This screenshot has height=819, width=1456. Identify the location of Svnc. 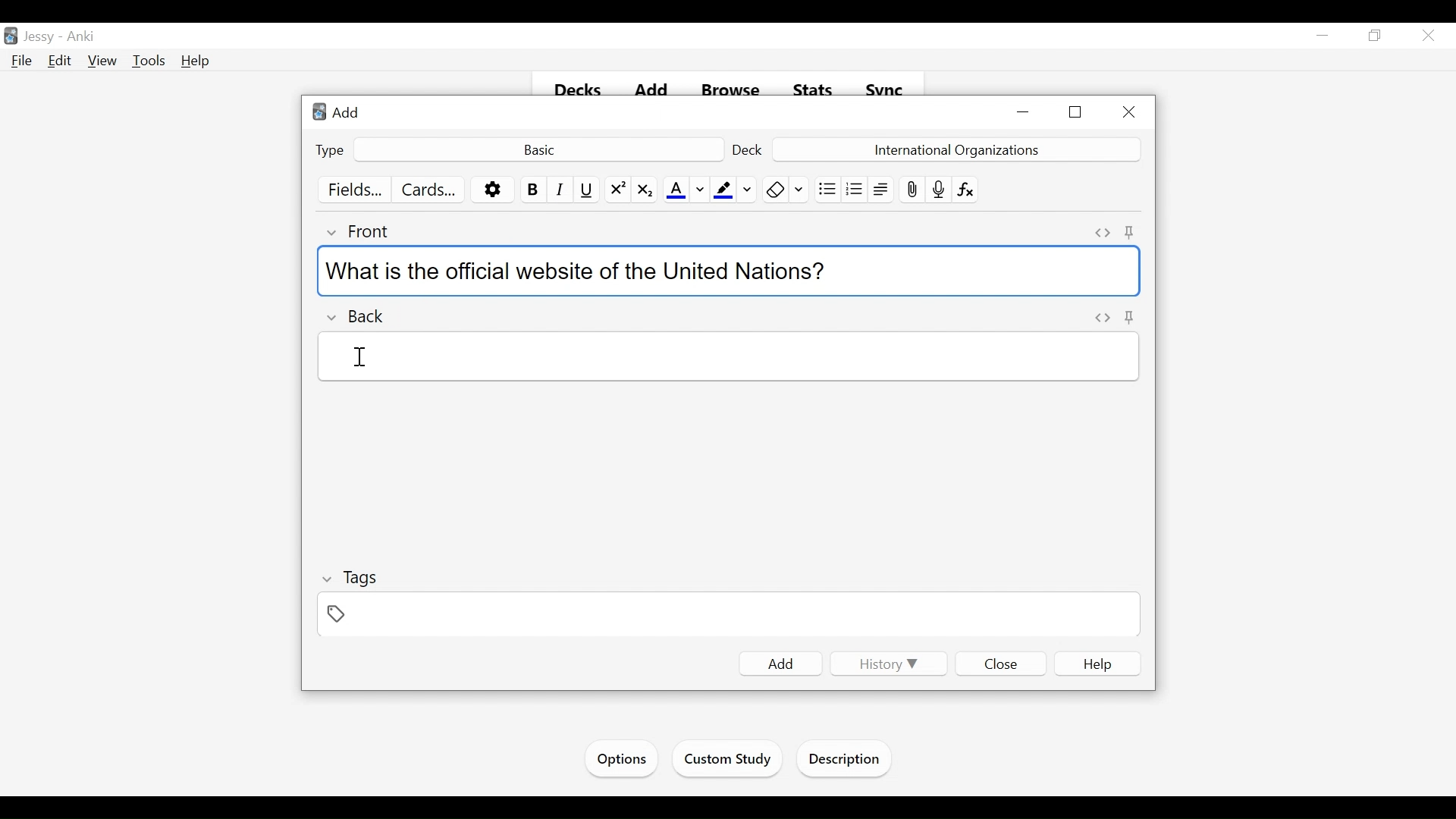
(880, 86).